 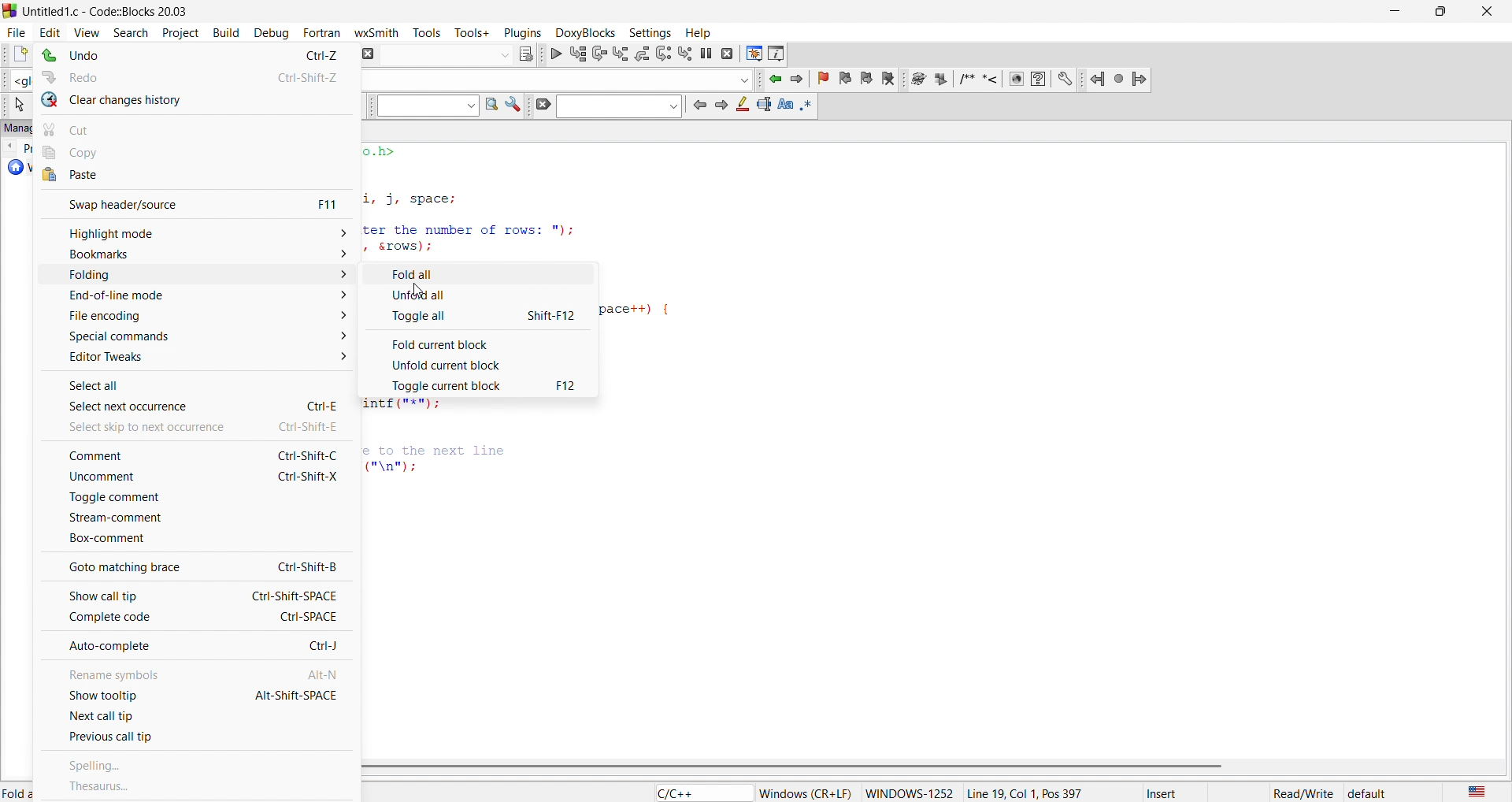 What do you see at coordinates (1176, 793) in the screenshot?
I see `Insert` at bounding box center [1176, 793].